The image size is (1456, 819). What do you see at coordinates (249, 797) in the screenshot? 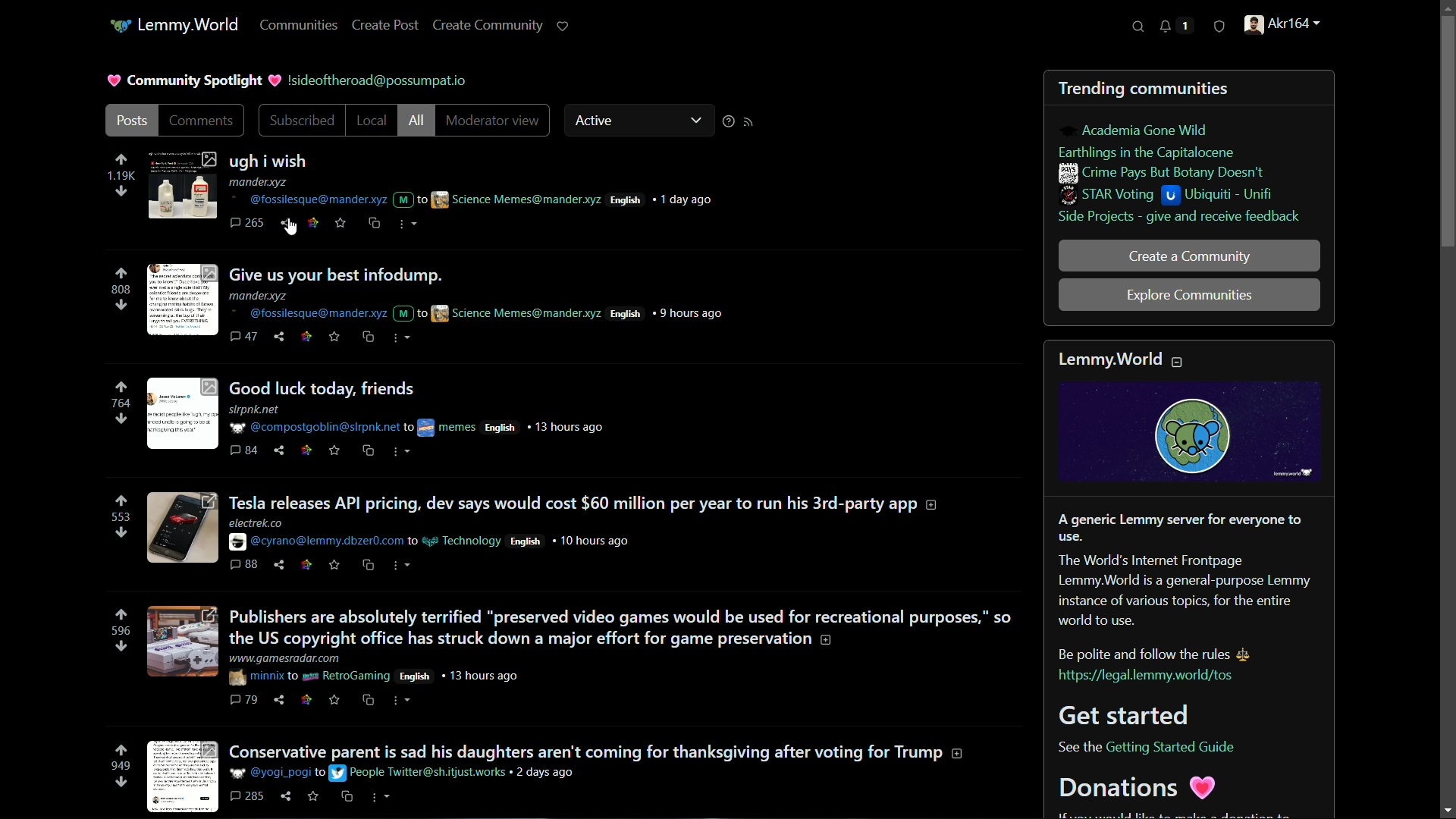
I see `285 comments` at bounding box center [249, 797].